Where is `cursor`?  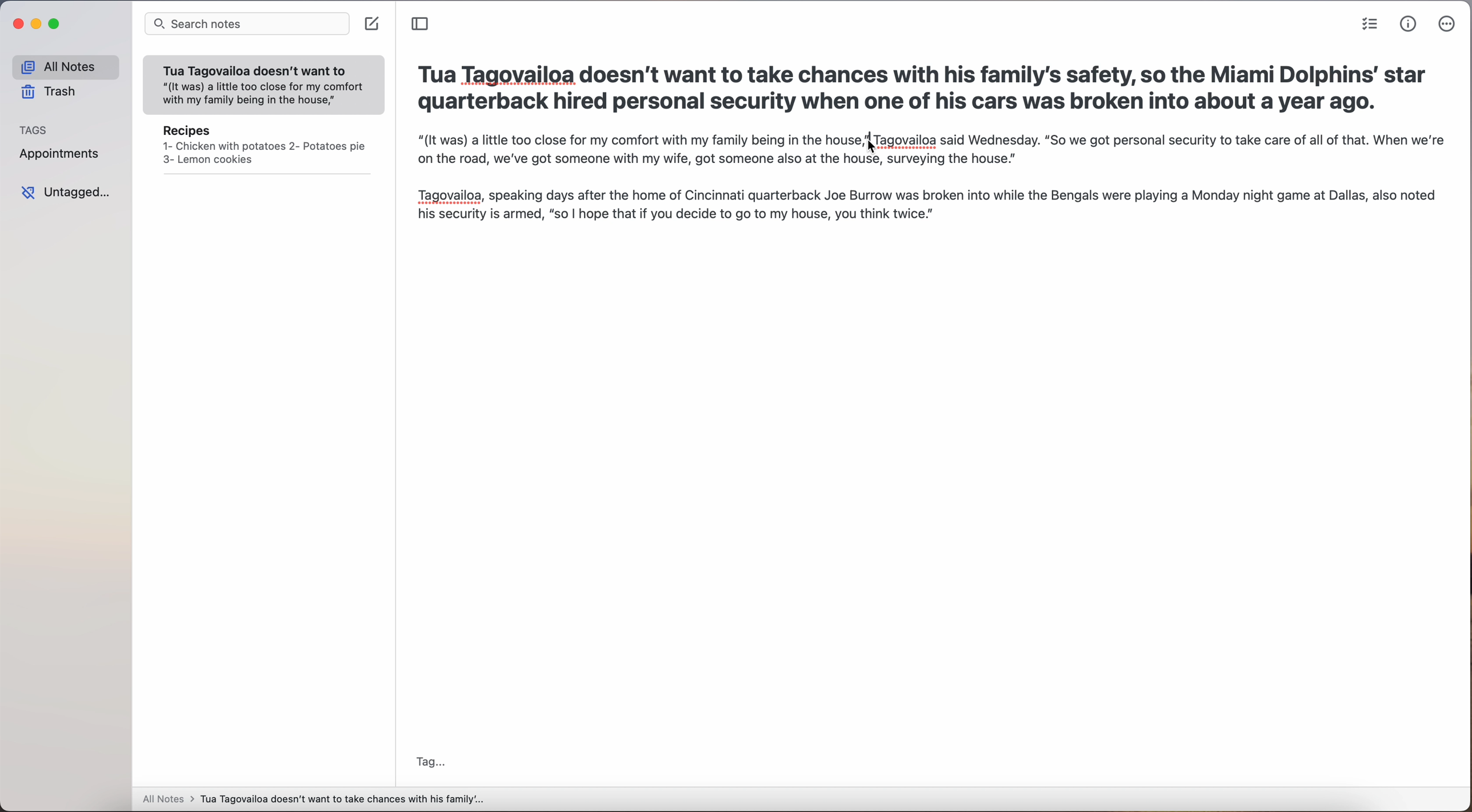 cursor is located at coordinates (870, 145).